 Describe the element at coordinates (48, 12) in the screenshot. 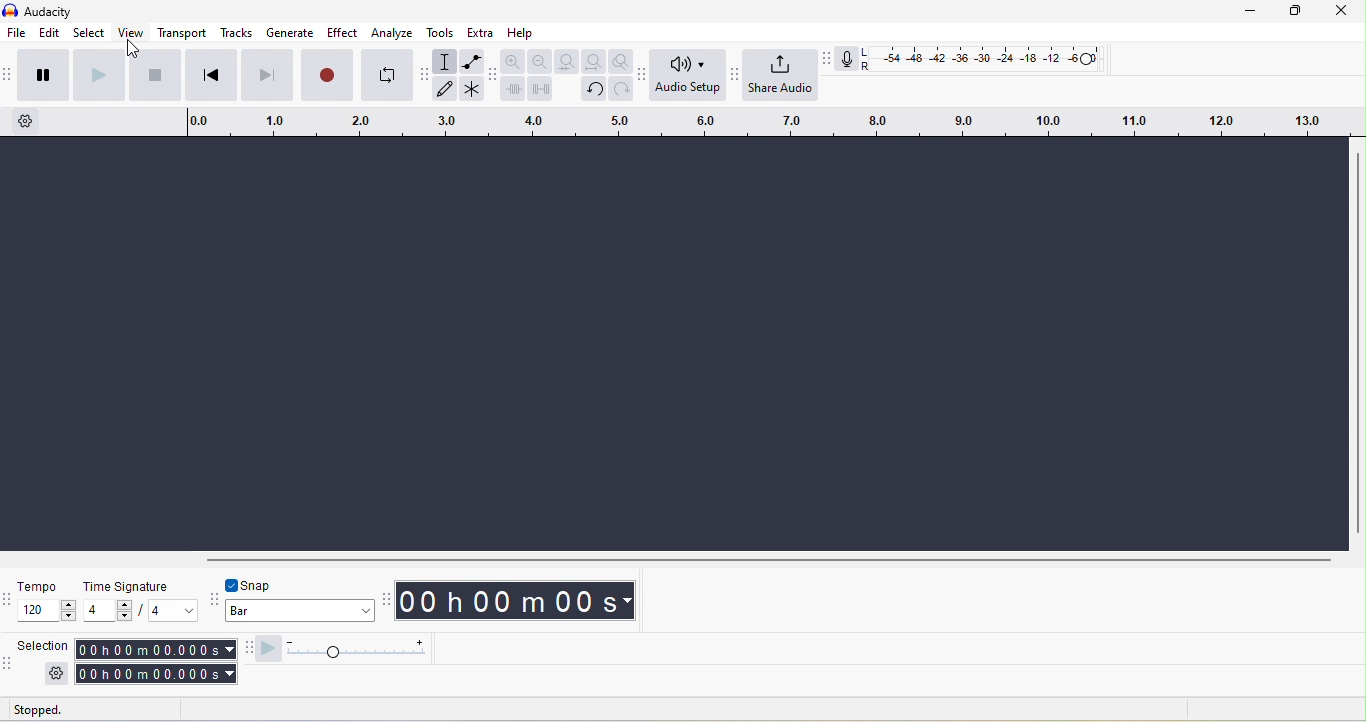

I see `audacity` at that location.